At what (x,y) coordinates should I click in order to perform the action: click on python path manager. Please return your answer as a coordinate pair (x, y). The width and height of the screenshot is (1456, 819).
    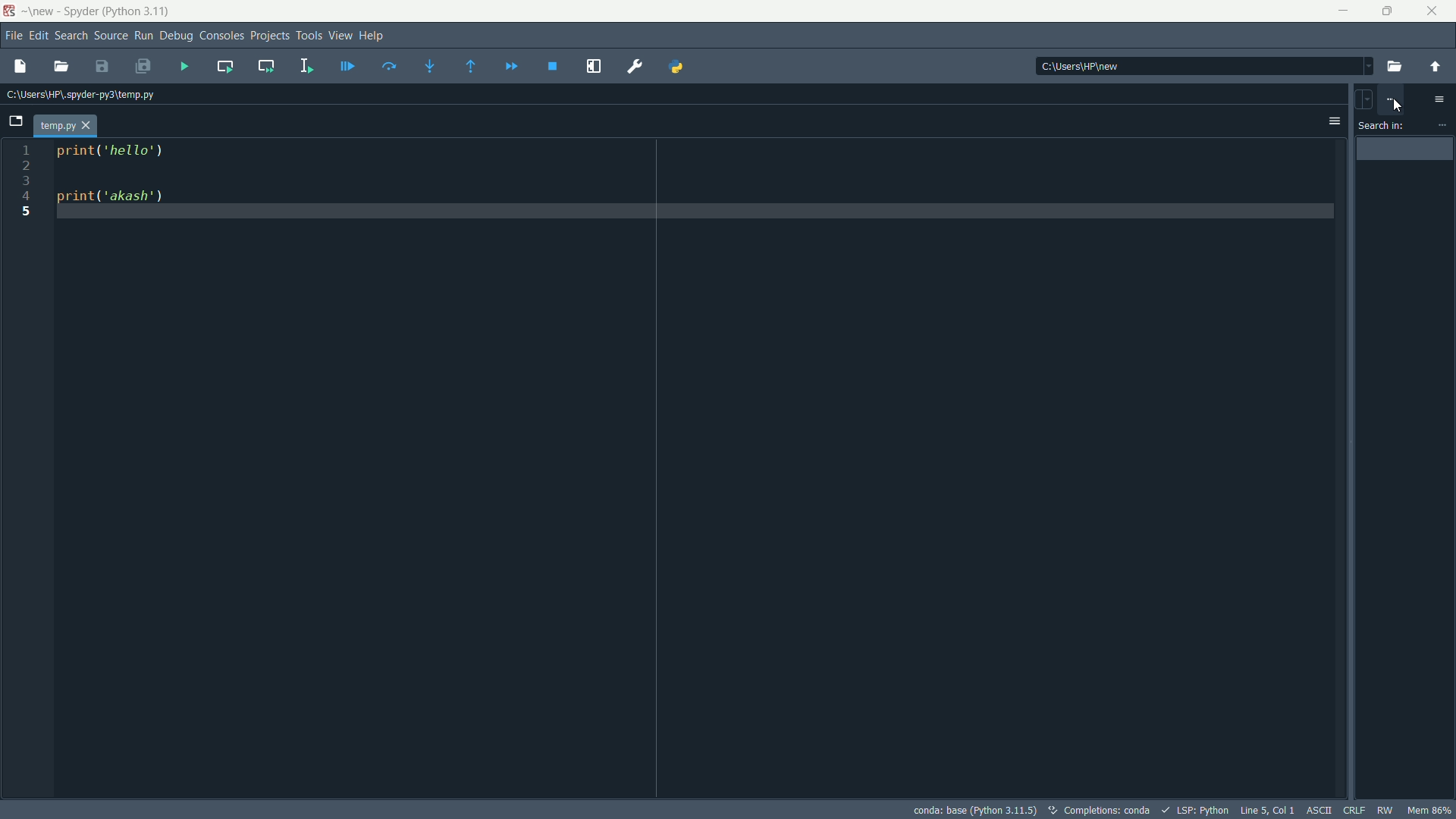
    Looking at the image, I should click on (679, 66).